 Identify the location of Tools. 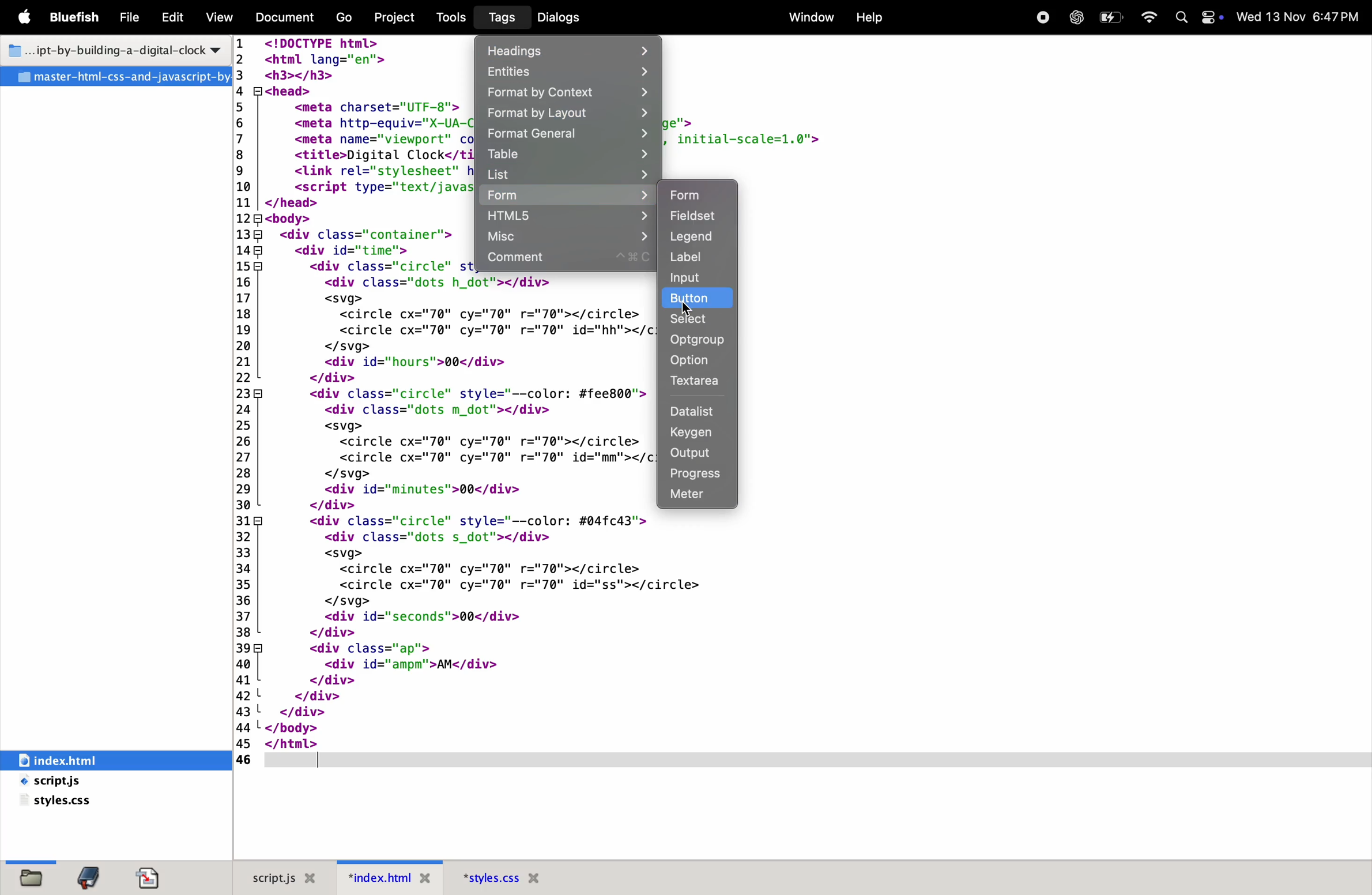
(451, 18).